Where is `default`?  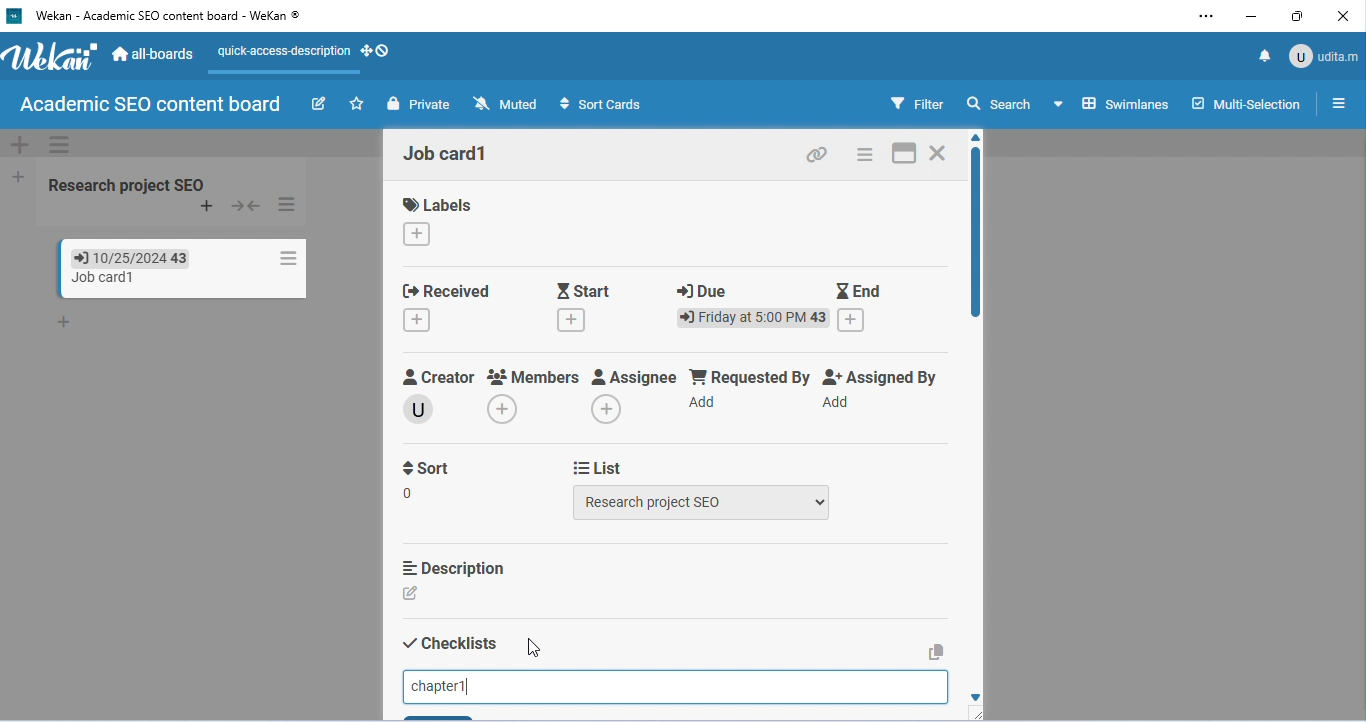 default is located at coordinates (678, 143).